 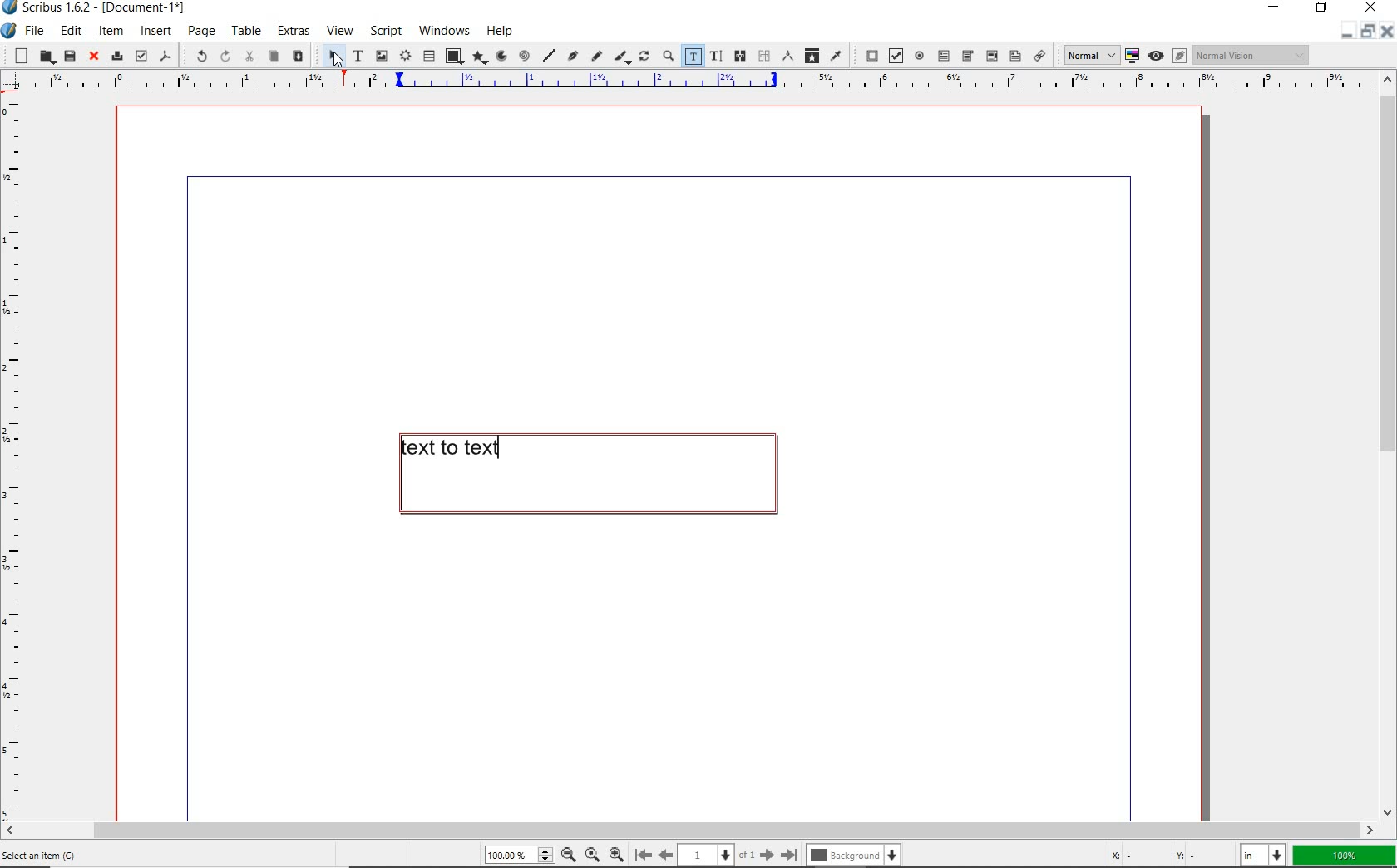 What do you see at coordinates (668, 57) in the screenshot?
I see `zoom in or zoom out` at bounding box center [668, 57].